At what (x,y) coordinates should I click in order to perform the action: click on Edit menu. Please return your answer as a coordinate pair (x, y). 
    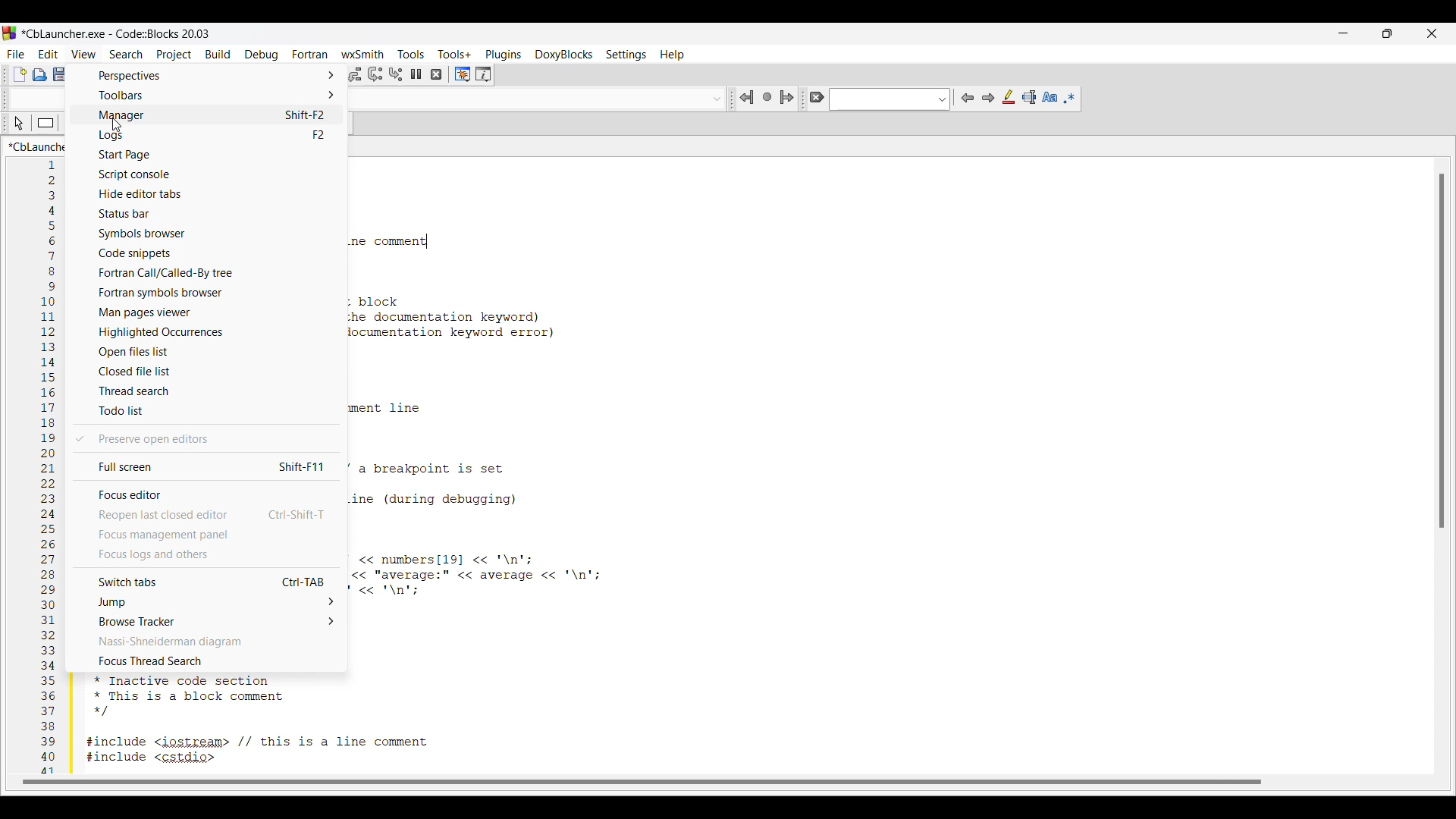
    Looking at the image, I should click on (49, 54).